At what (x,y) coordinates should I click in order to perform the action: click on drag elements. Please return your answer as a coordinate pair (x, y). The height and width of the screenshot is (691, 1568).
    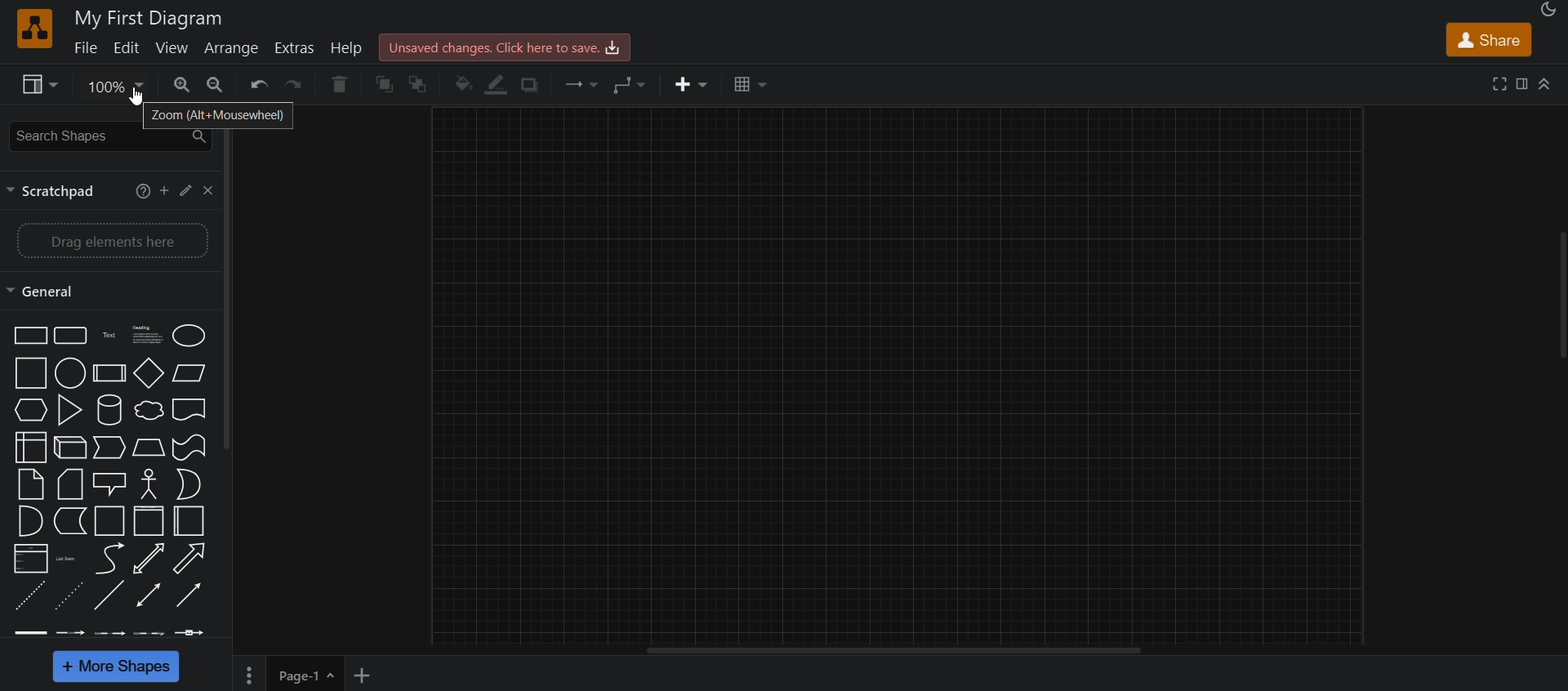
    Looking at the image, I should click on (111, 242).